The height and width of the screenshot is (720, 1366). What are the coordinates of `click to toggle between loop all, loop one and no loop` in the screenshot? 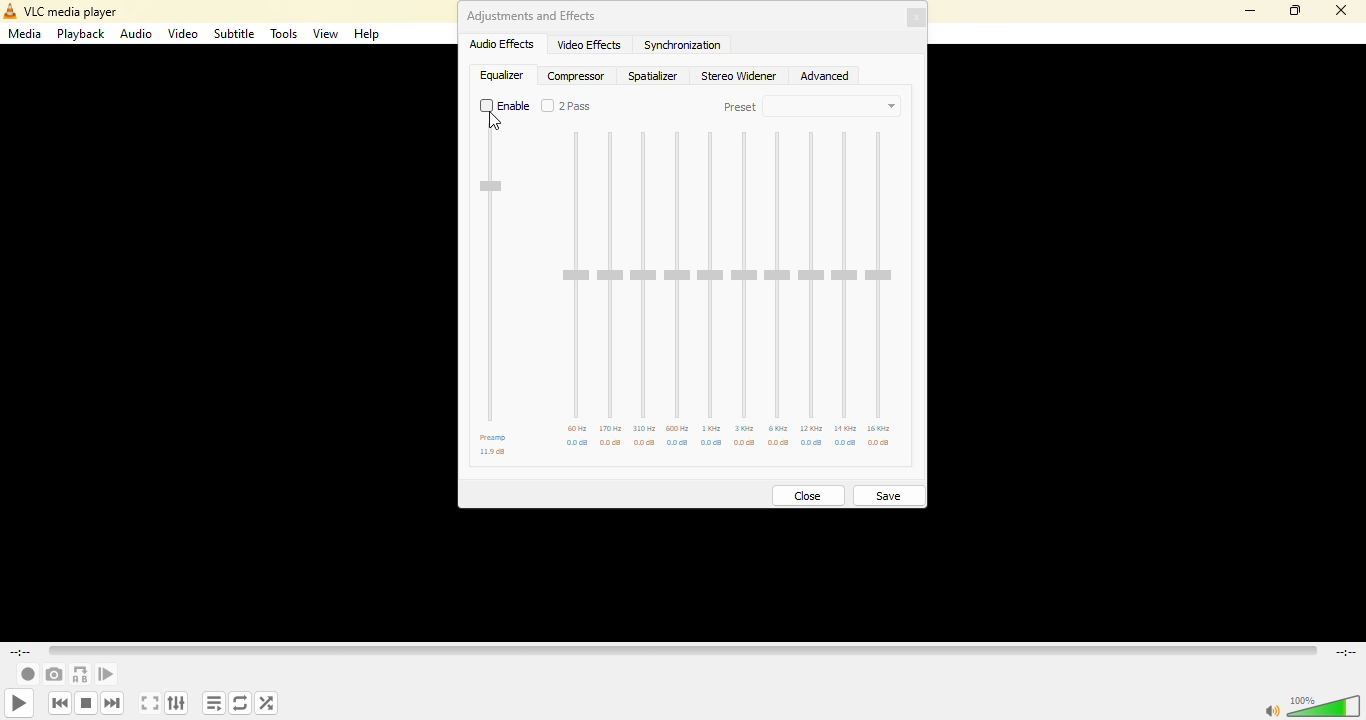 It's located at (240, 703).